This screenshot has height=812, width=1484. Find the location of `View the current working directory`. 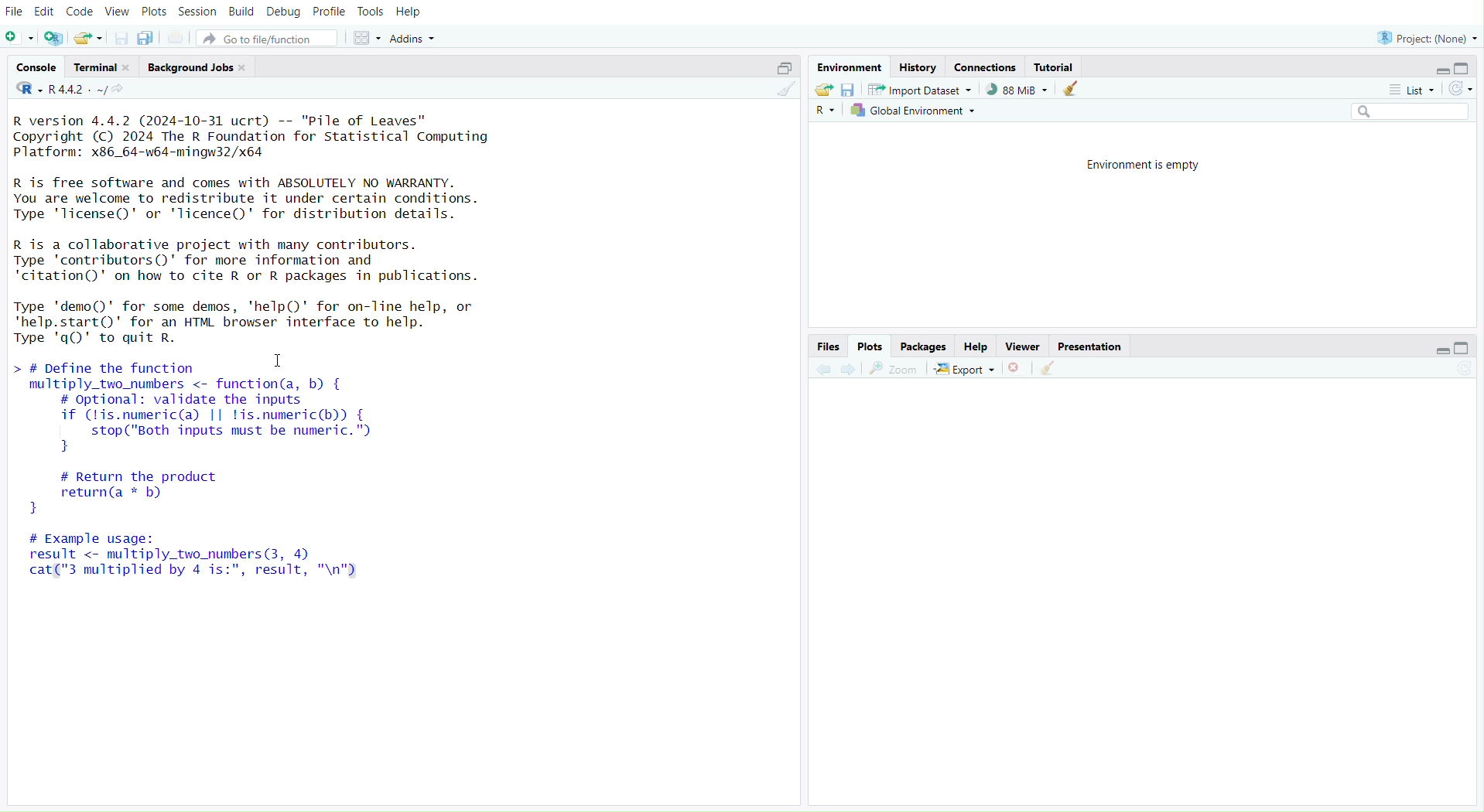

View the current working directory is located at coordinates (128, 93).